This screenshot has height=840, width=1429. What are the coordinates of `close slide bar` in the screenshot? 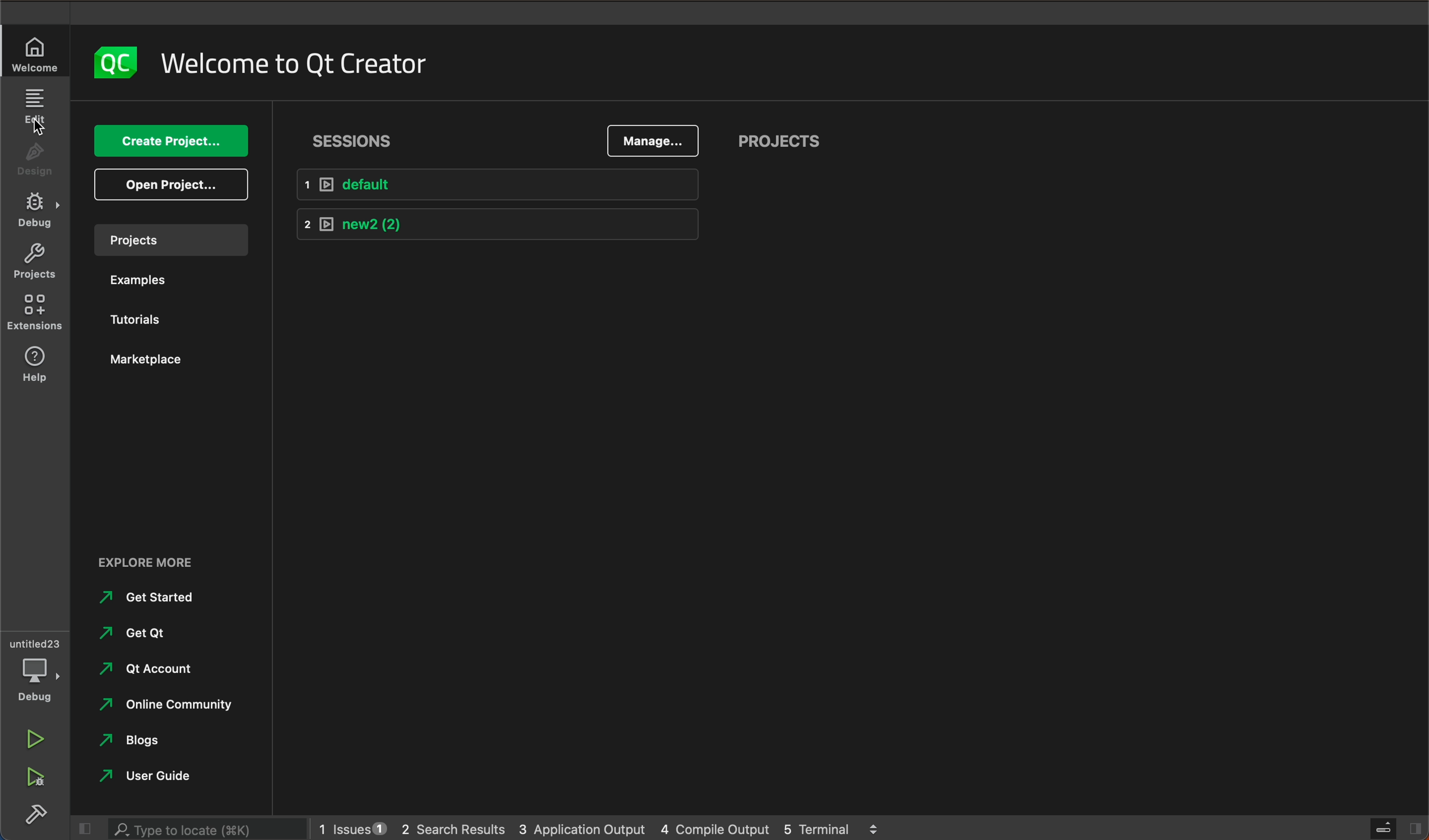 It's located at (1396, 829).